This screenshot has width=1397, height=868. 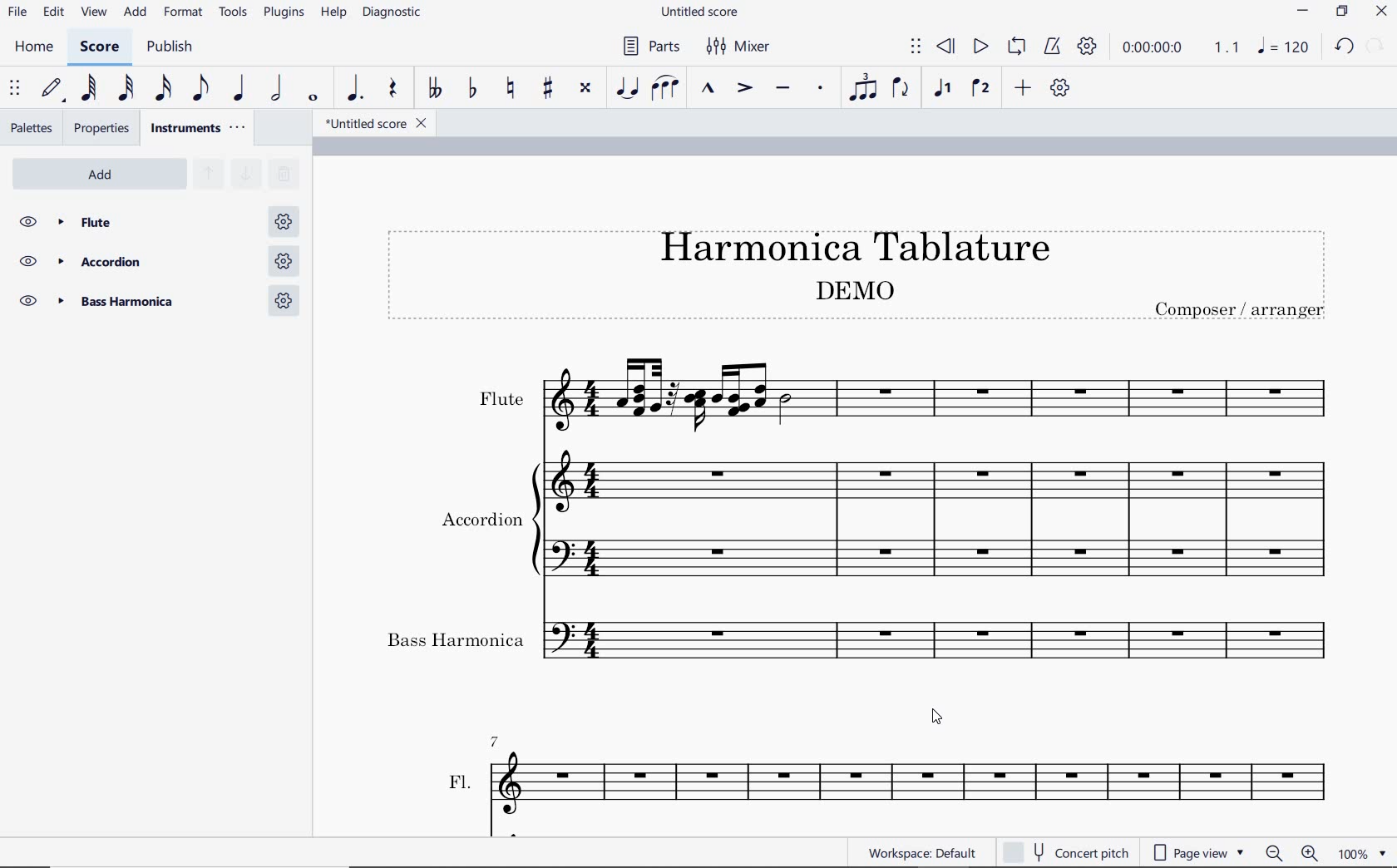 What do you see at coordinates (871, 397) in the screenshot?
I see `Instrument: Flute` at bounding box center [871, 397].